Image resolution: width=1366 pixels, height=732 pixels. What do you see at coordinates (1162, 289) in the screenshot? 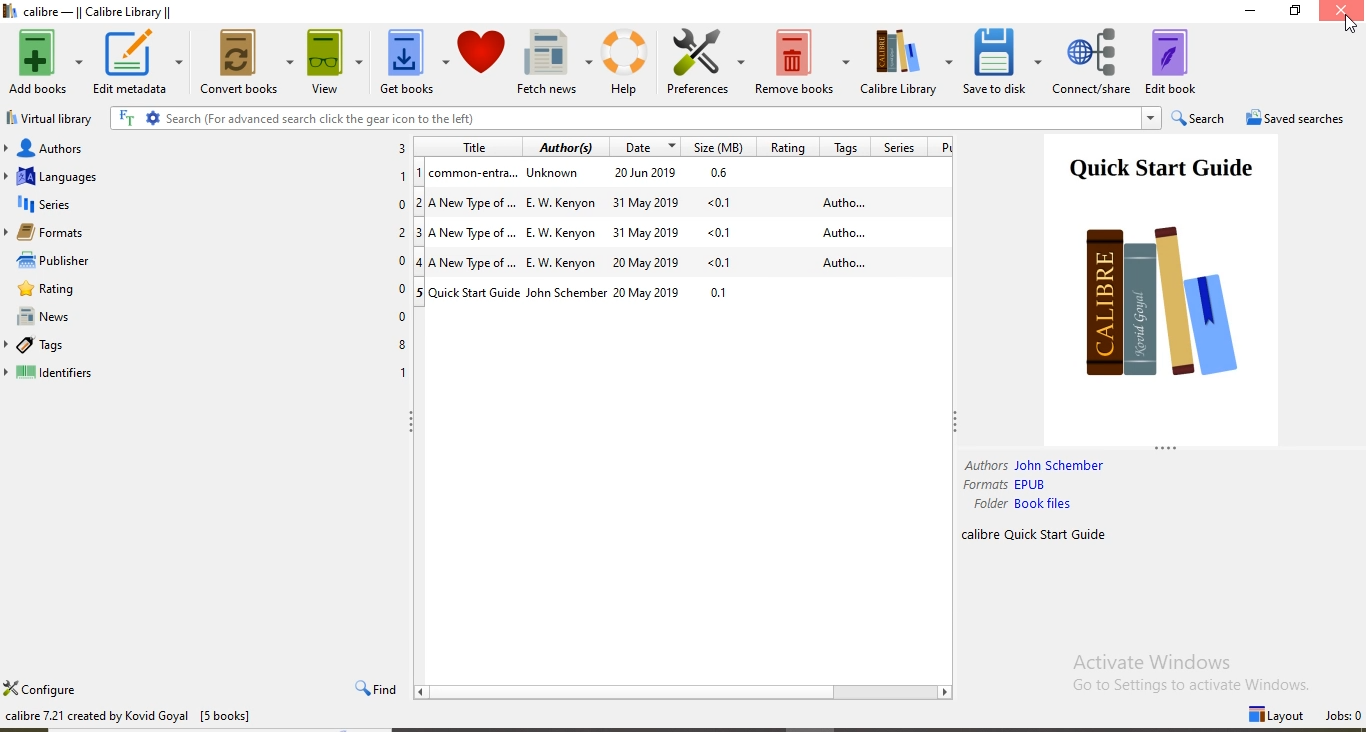
I see `Quick Start Guide` at bounding box center [1162, 289].